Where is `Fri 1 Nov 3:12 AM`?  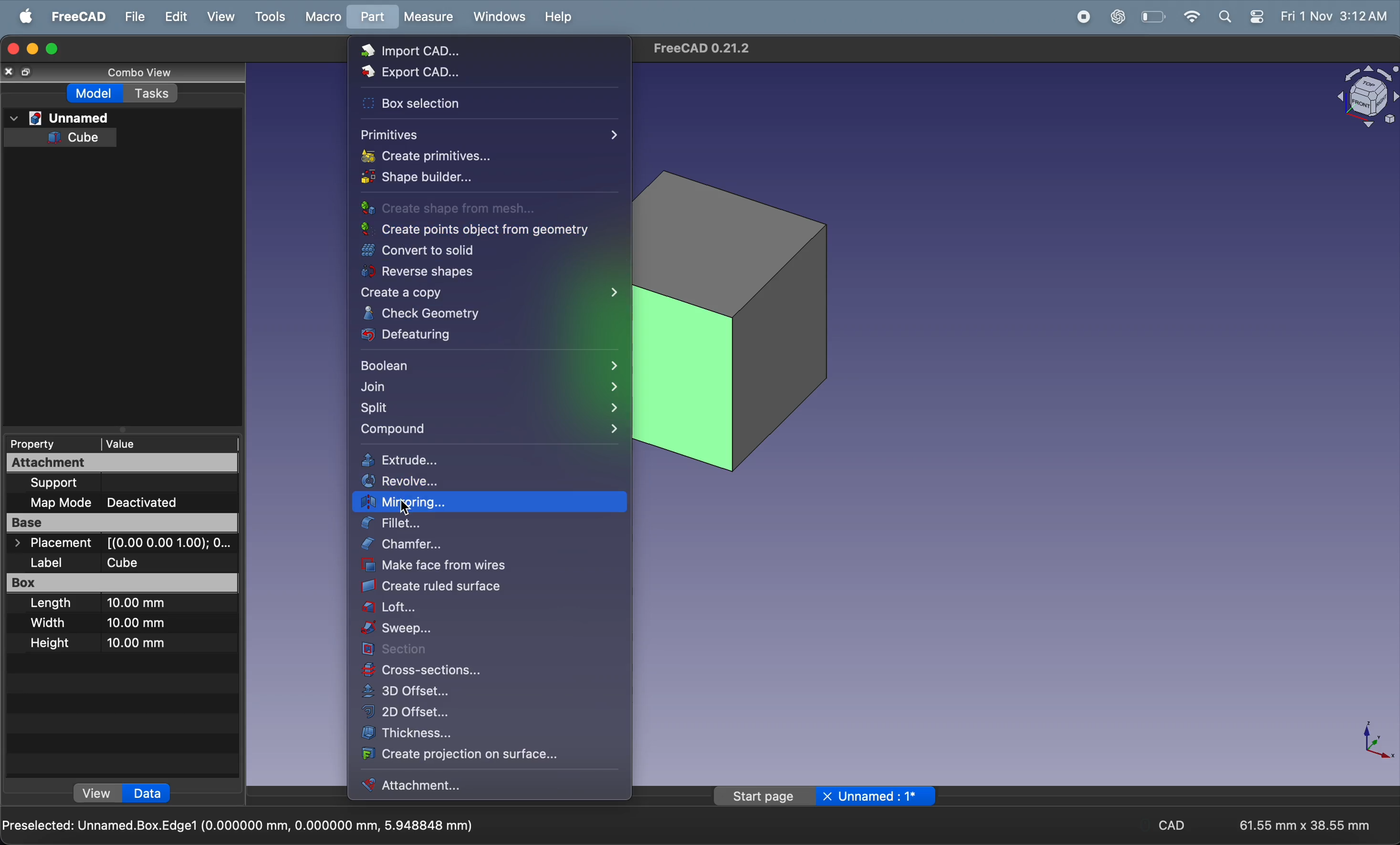 Fri 1 Nov 3:12 AM is located at coordinates (1334, 15).